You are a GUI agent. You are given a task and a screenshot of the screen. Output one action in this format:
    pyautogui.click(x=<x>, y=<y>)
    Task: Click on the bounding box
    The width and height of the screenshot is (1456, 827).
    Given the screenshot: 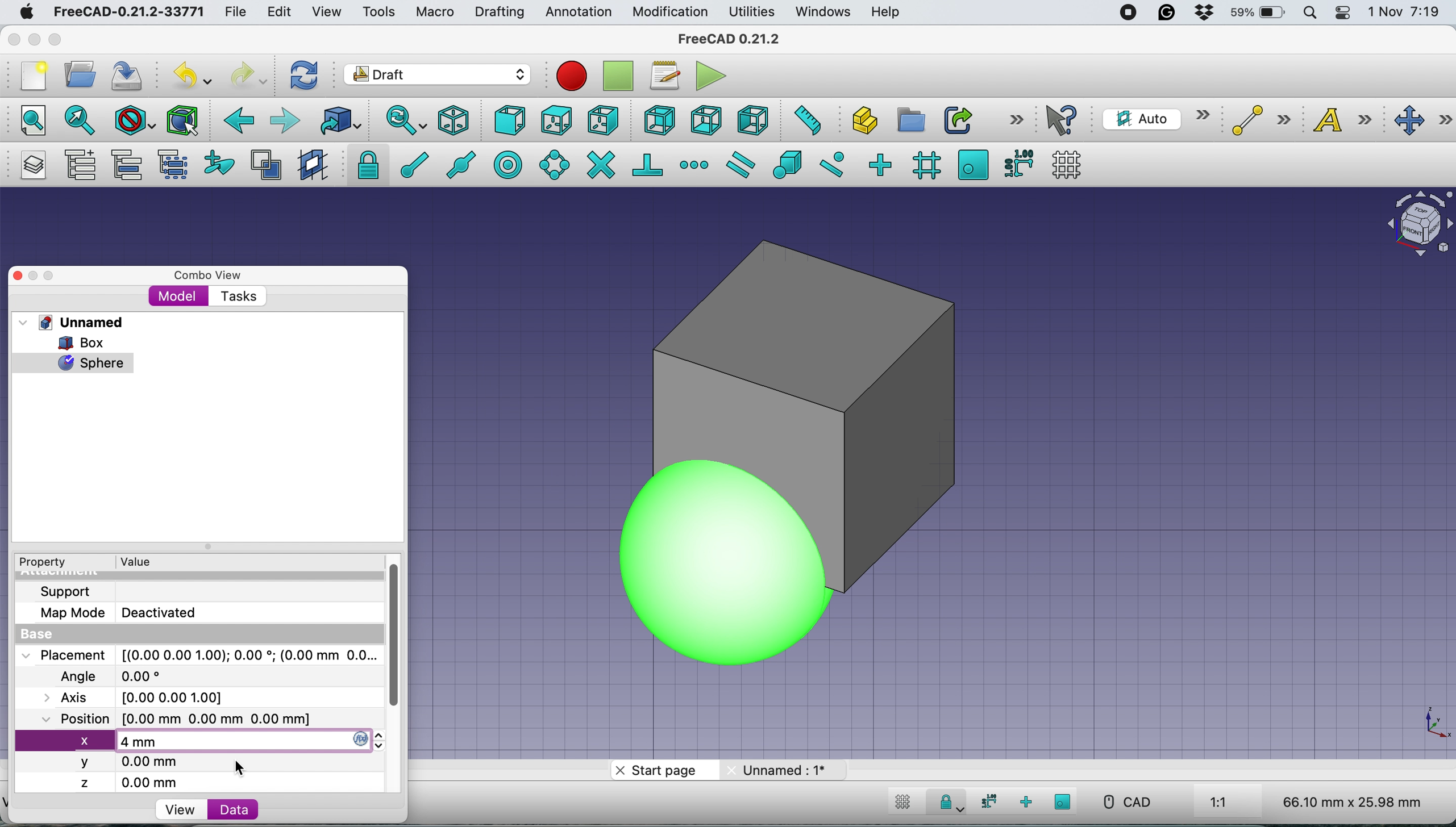 What is the action you would take?
    pyautogui.click(x=181, y=120)
    